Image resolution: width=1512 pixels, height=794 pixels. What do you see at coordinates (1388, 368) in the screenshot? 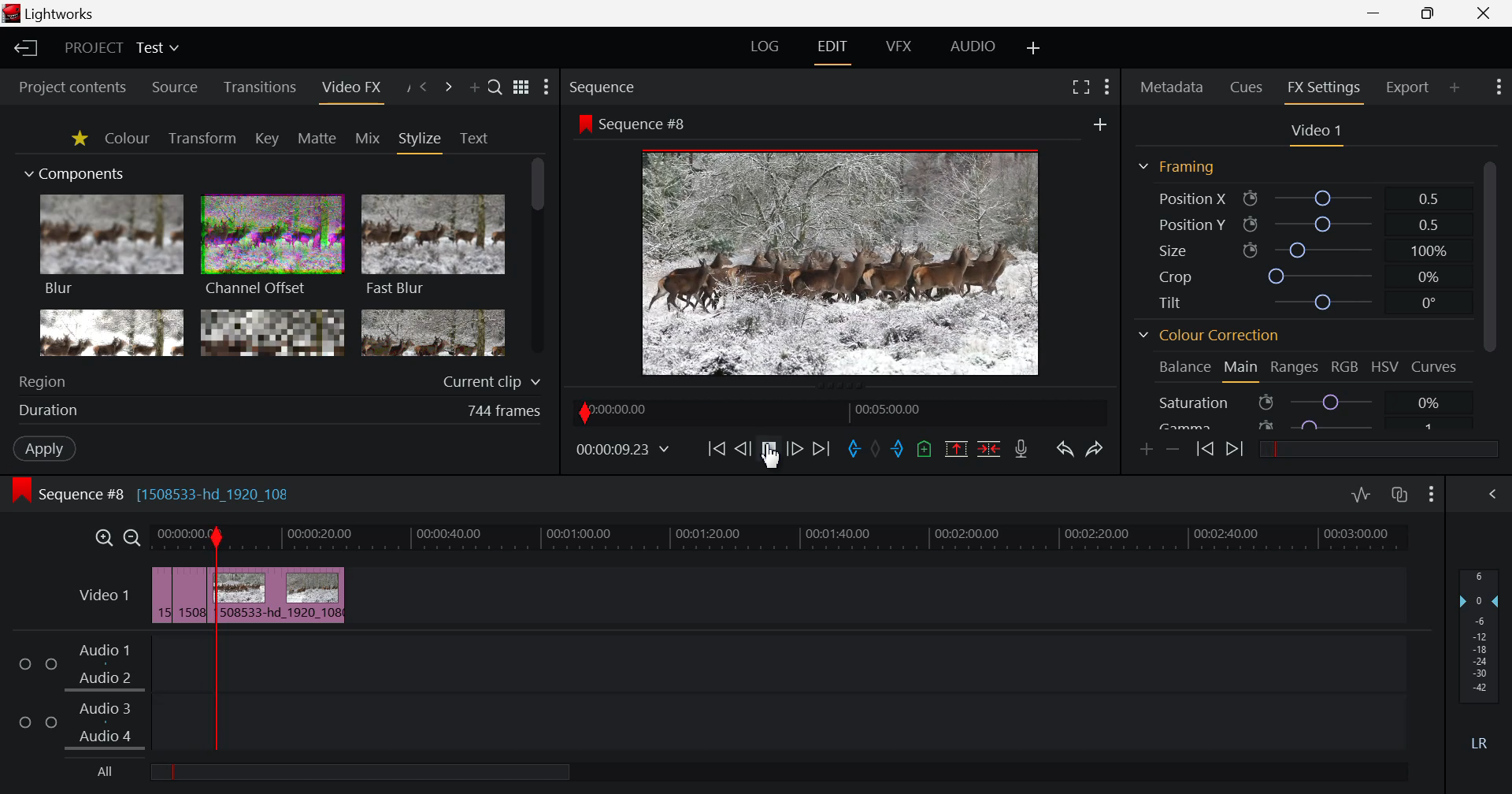
I see `HSV` at bounding box center [1388, 368].